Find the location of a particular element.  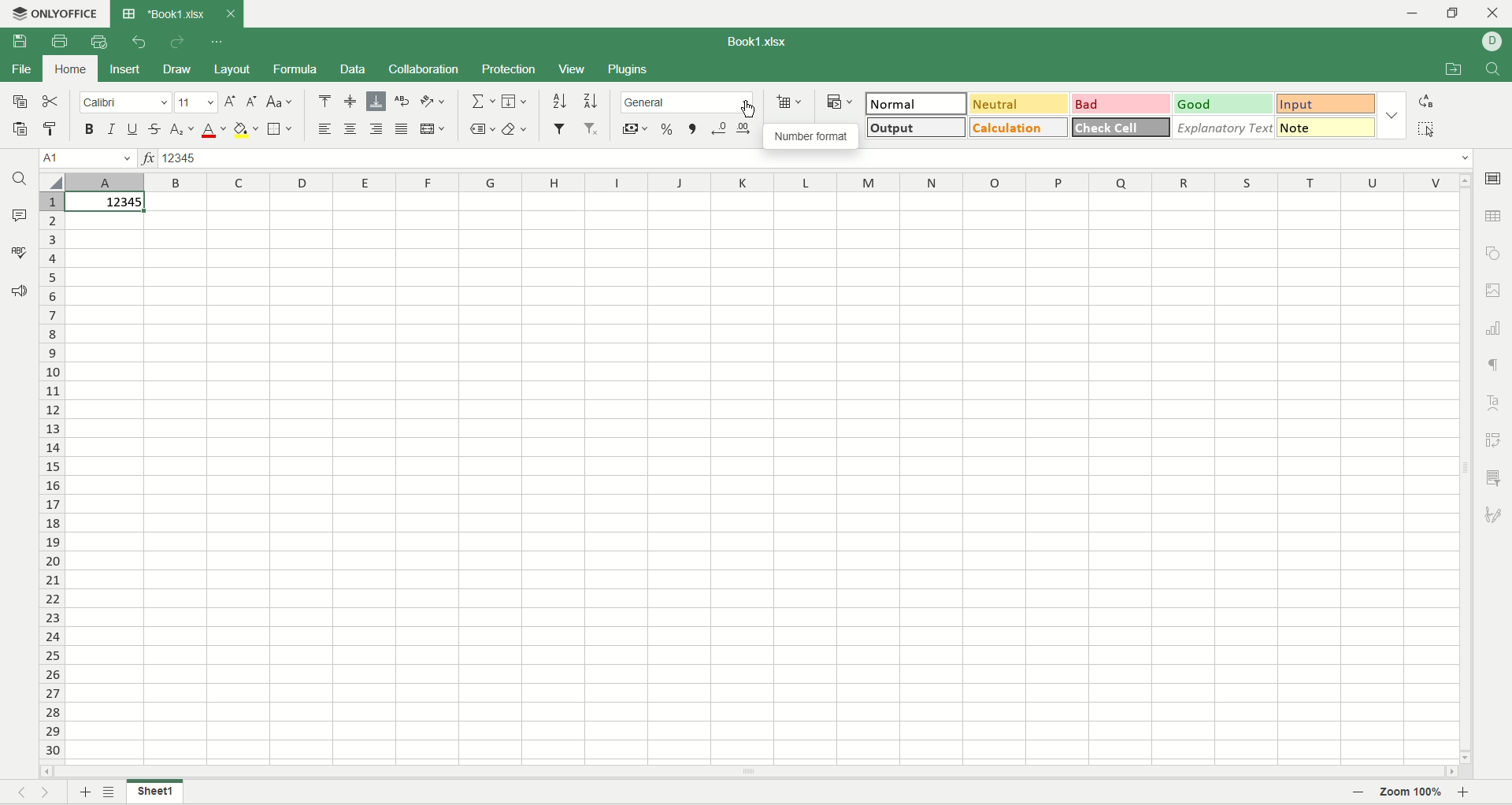

remove filter is located at coordinates (590, 129).